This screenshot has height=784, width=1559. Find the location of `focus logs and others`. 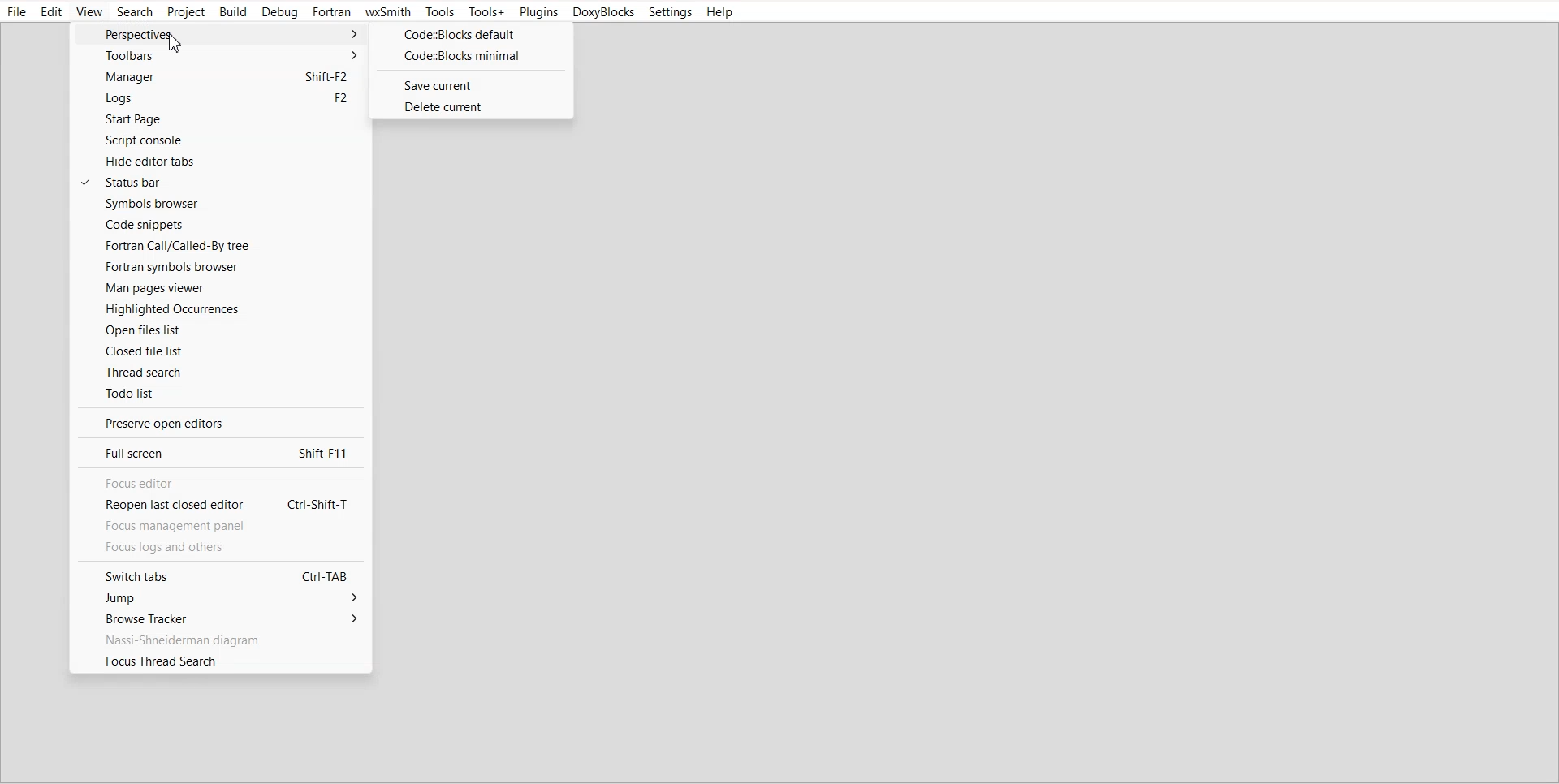

focus logs and others is located at coordinates (182, 548).